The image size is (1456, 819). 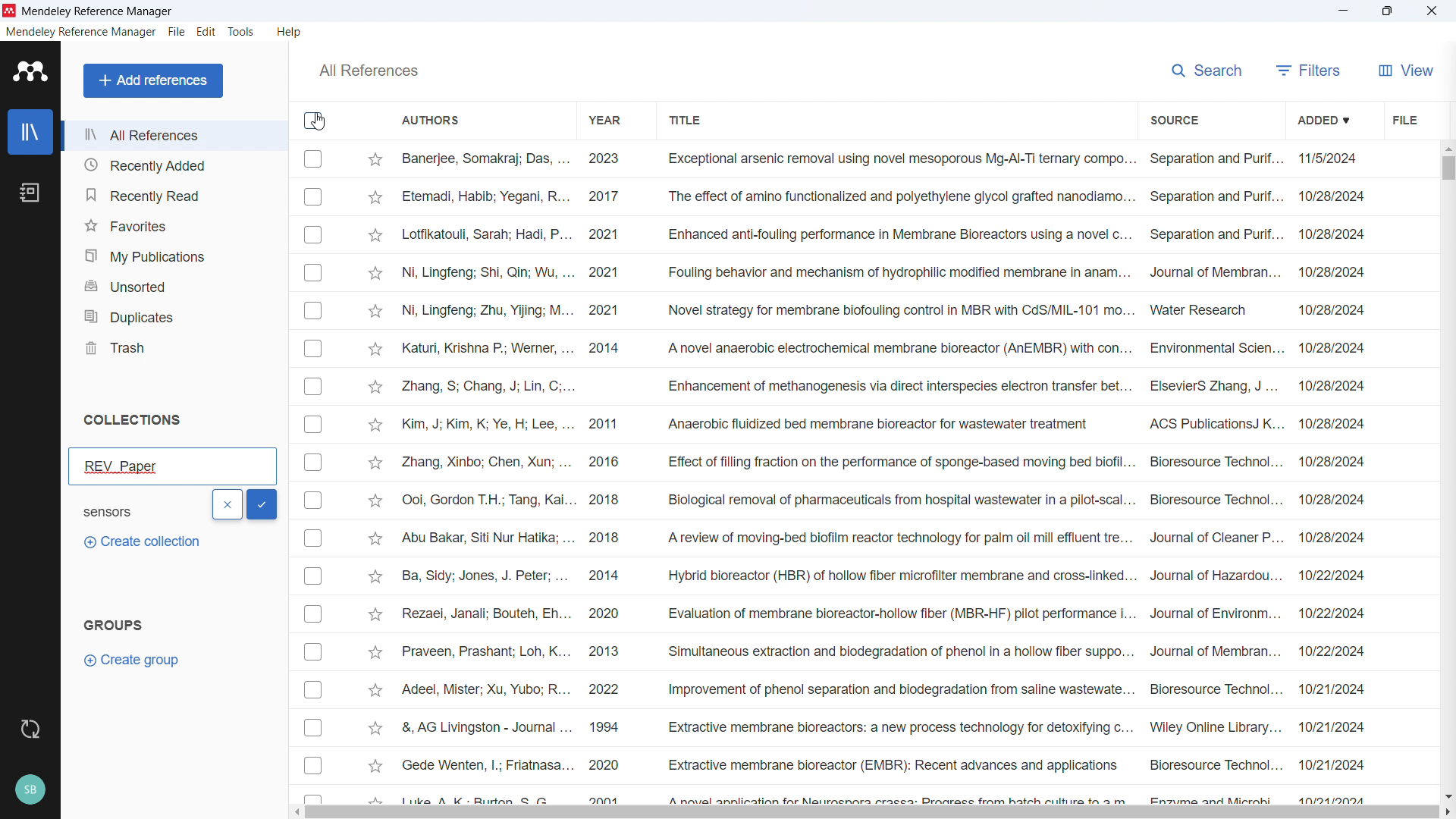 What do you see at coordinates (883, 423) in the screenshot?
I see `Kim, J; Kim, K; Ye, H; Lee, ... 2011 Anaerobic fluidized bed membrane bioreactor for wastewater treatment ACS PublicationsJ K... 10/28/2024` at bounding box center [883, 423].